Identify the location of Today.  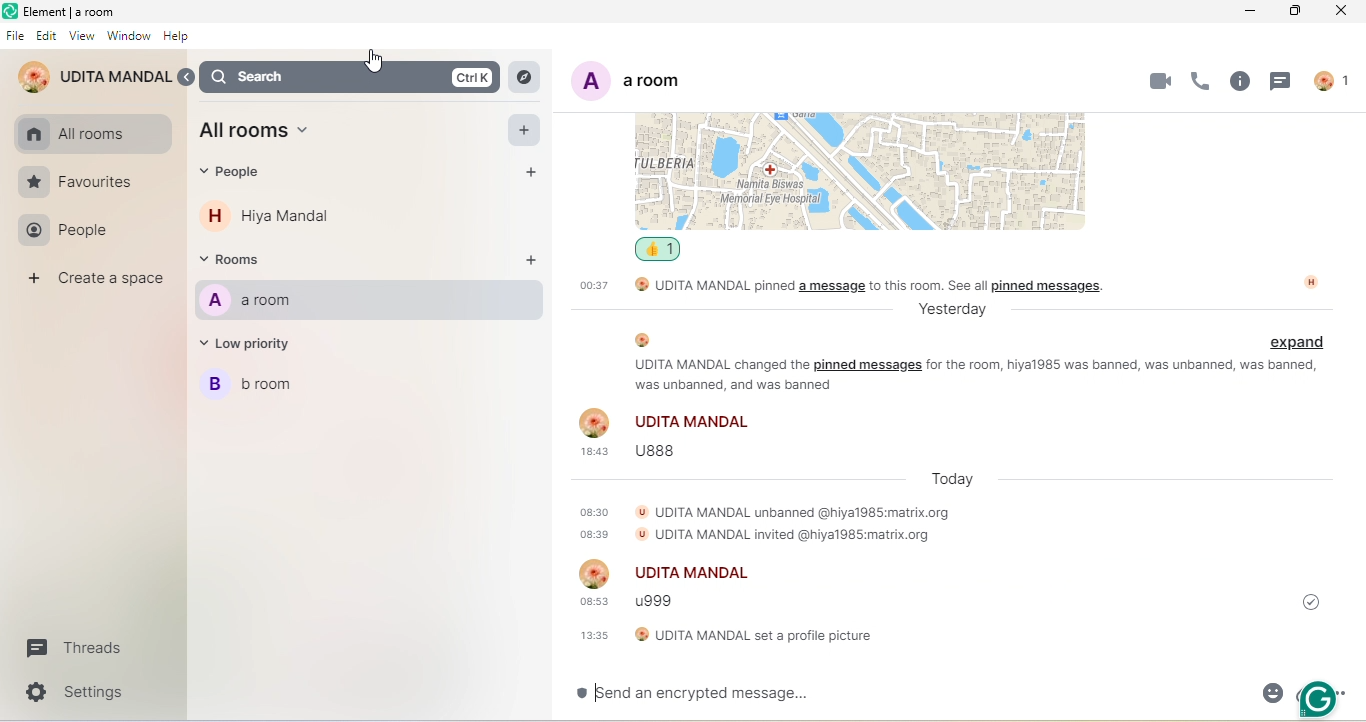
(954, 477).